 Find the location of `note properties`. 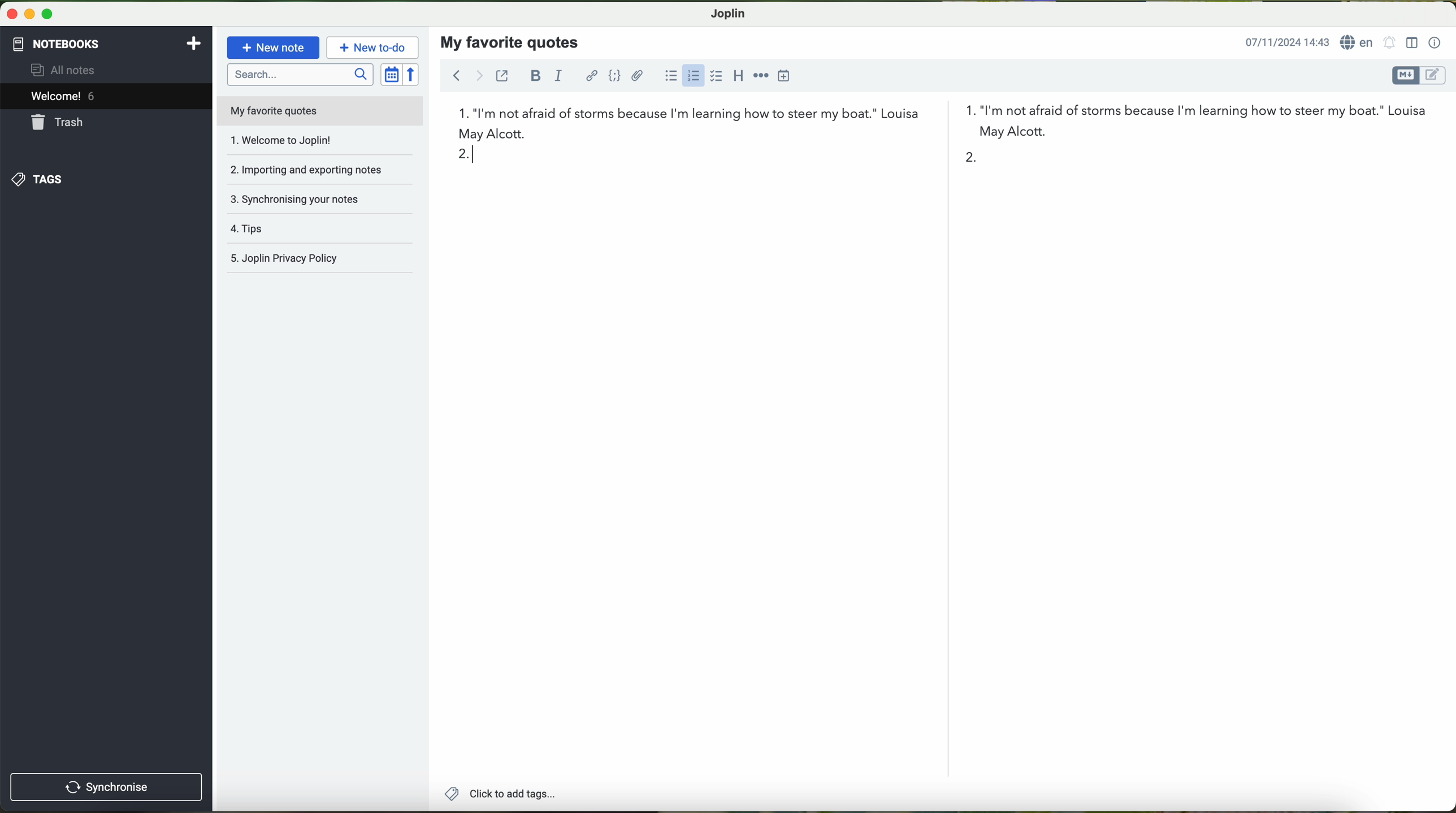

note properties is located at coordinates (1436, 42).